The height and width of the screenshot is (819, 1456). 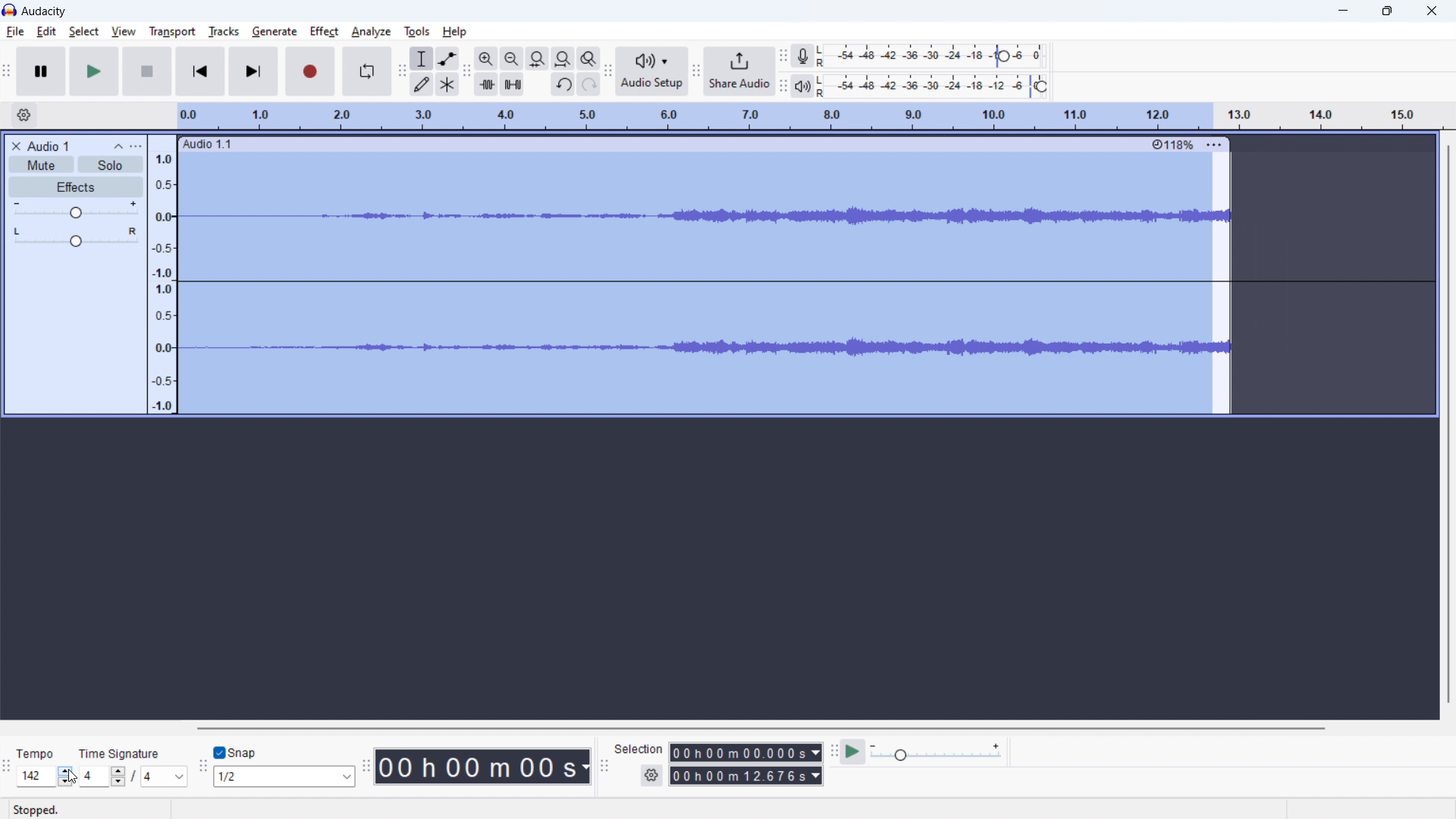 What do you see at coordinates (422, 83) in the screenshot?
I see `draw tool` at bounding box center [422, 83].